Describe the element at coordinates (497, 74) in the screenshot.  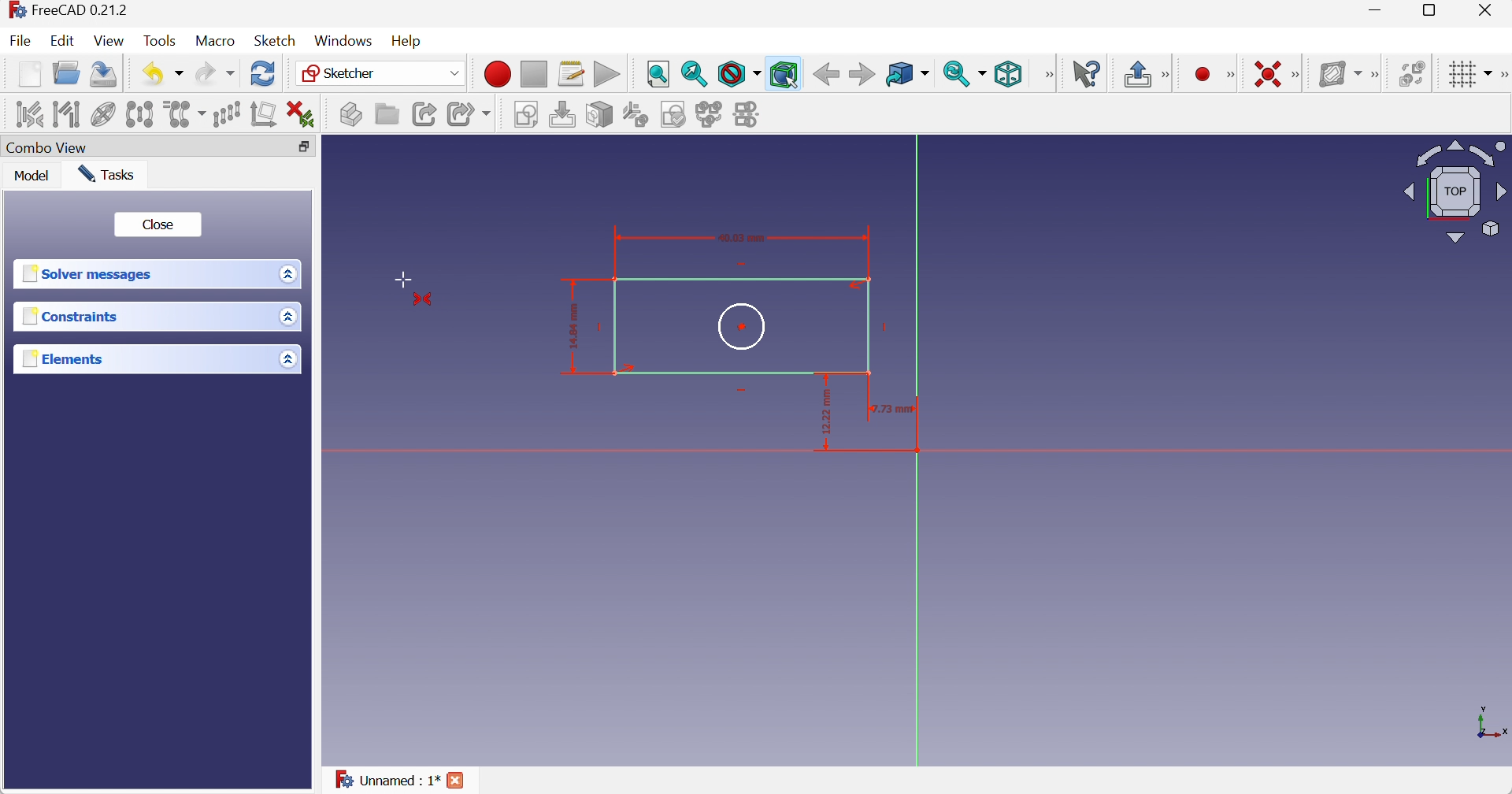
I see `Macro recording...` at that location.